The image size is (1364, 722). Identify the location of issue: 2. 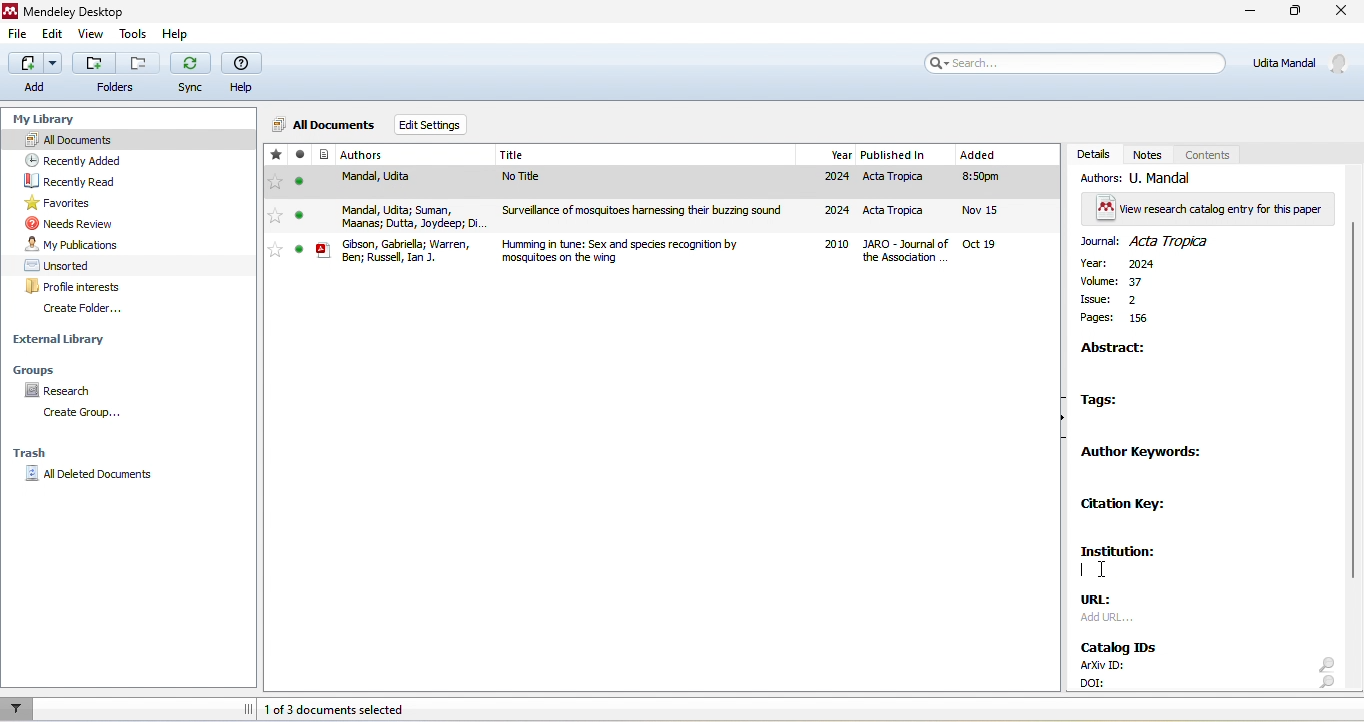
(1126, 299).